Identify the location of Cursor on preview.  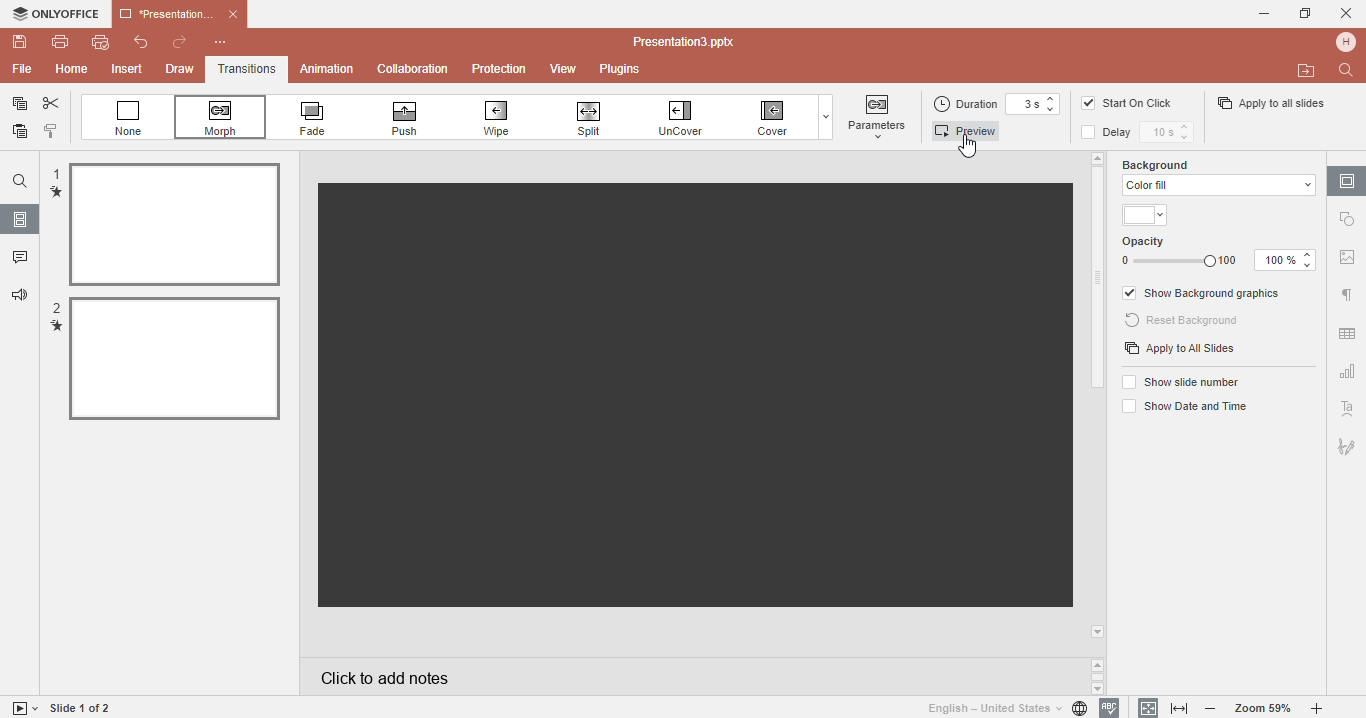
(972, 148).